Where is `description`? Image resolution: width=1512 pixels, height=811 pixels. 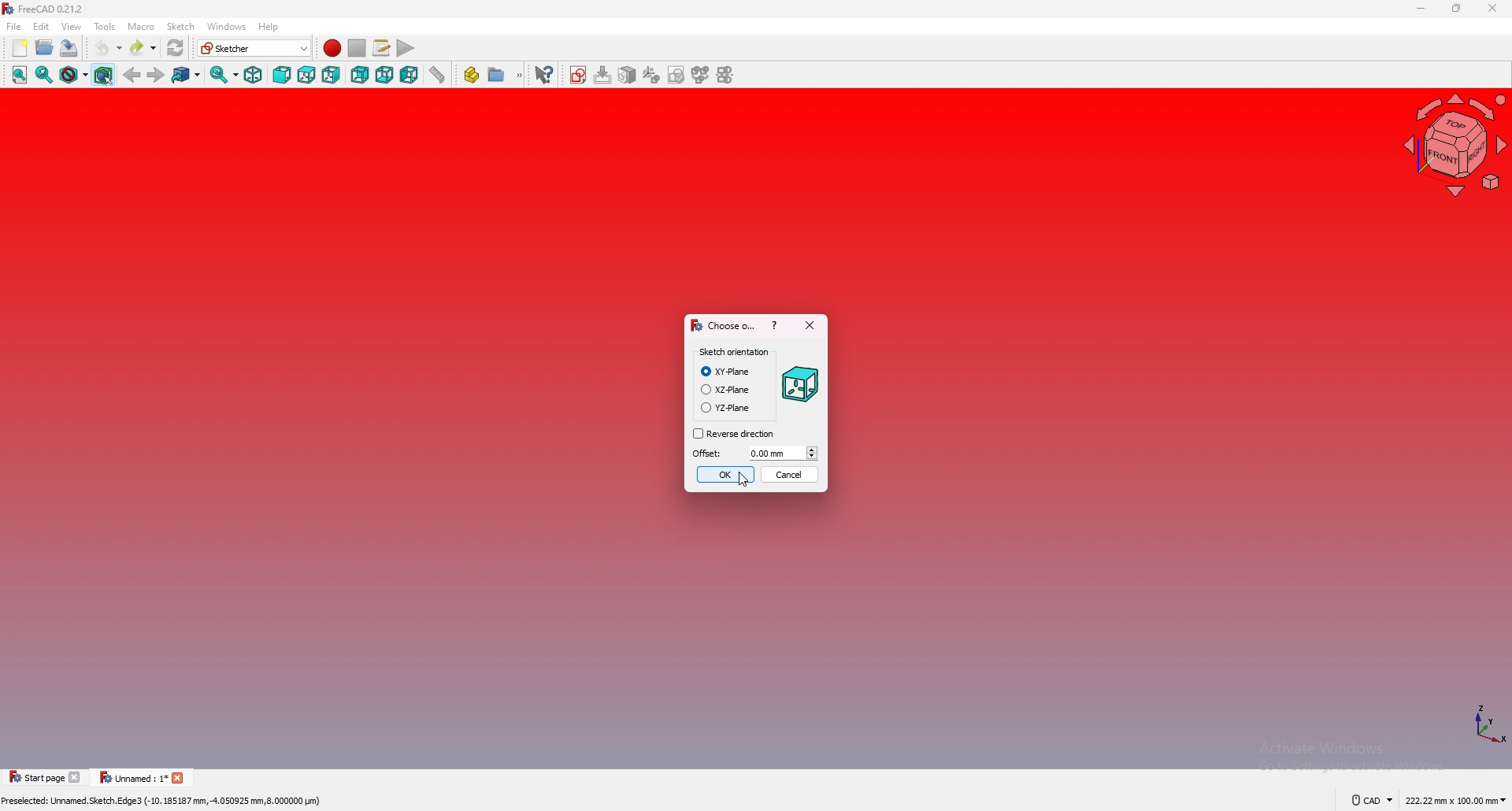
description is located at coordinates (164, 801).